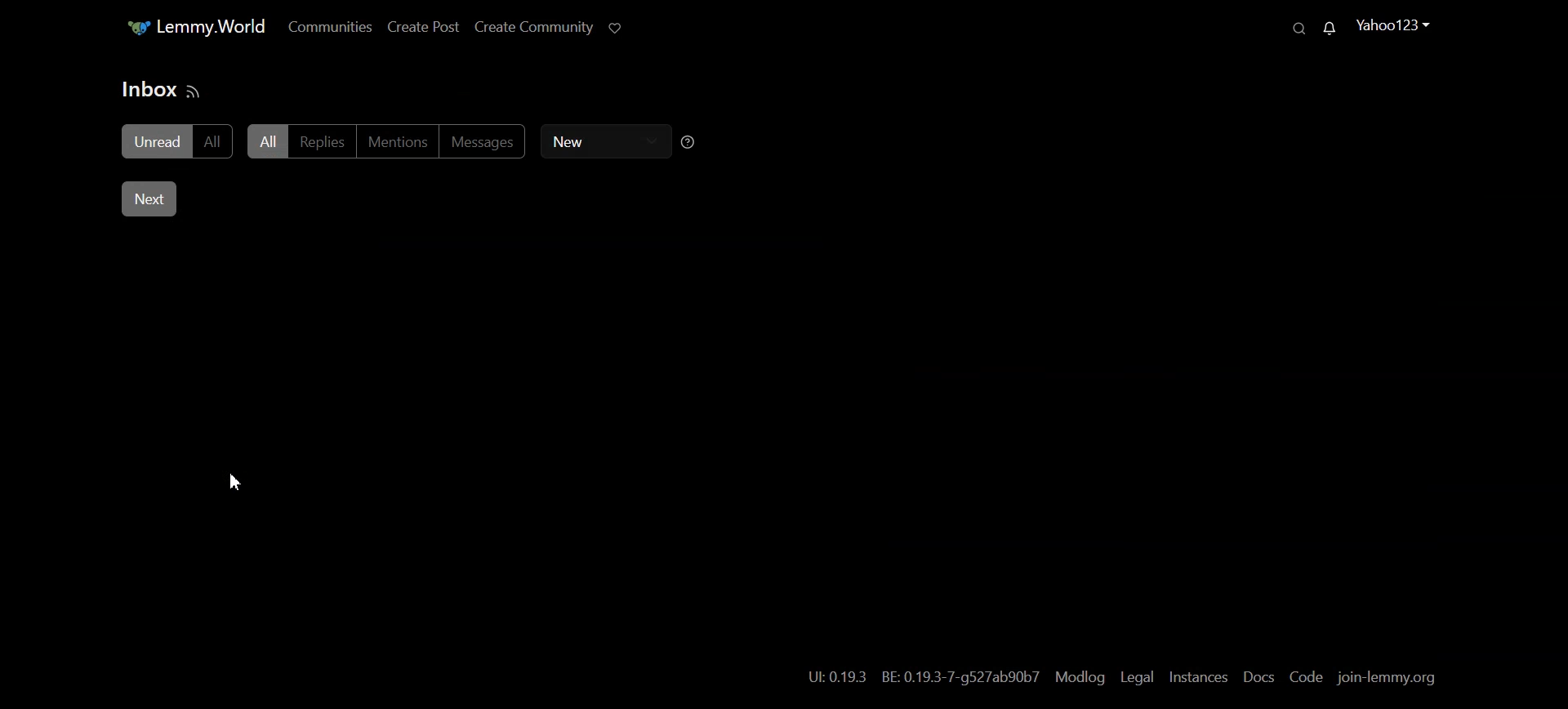 Image resolution: width=1568 pixels, height=709 pixels. What do you see at coordinates (323, 140) in the screenshot?
I see `Replies` at bounding box center [323, 140].